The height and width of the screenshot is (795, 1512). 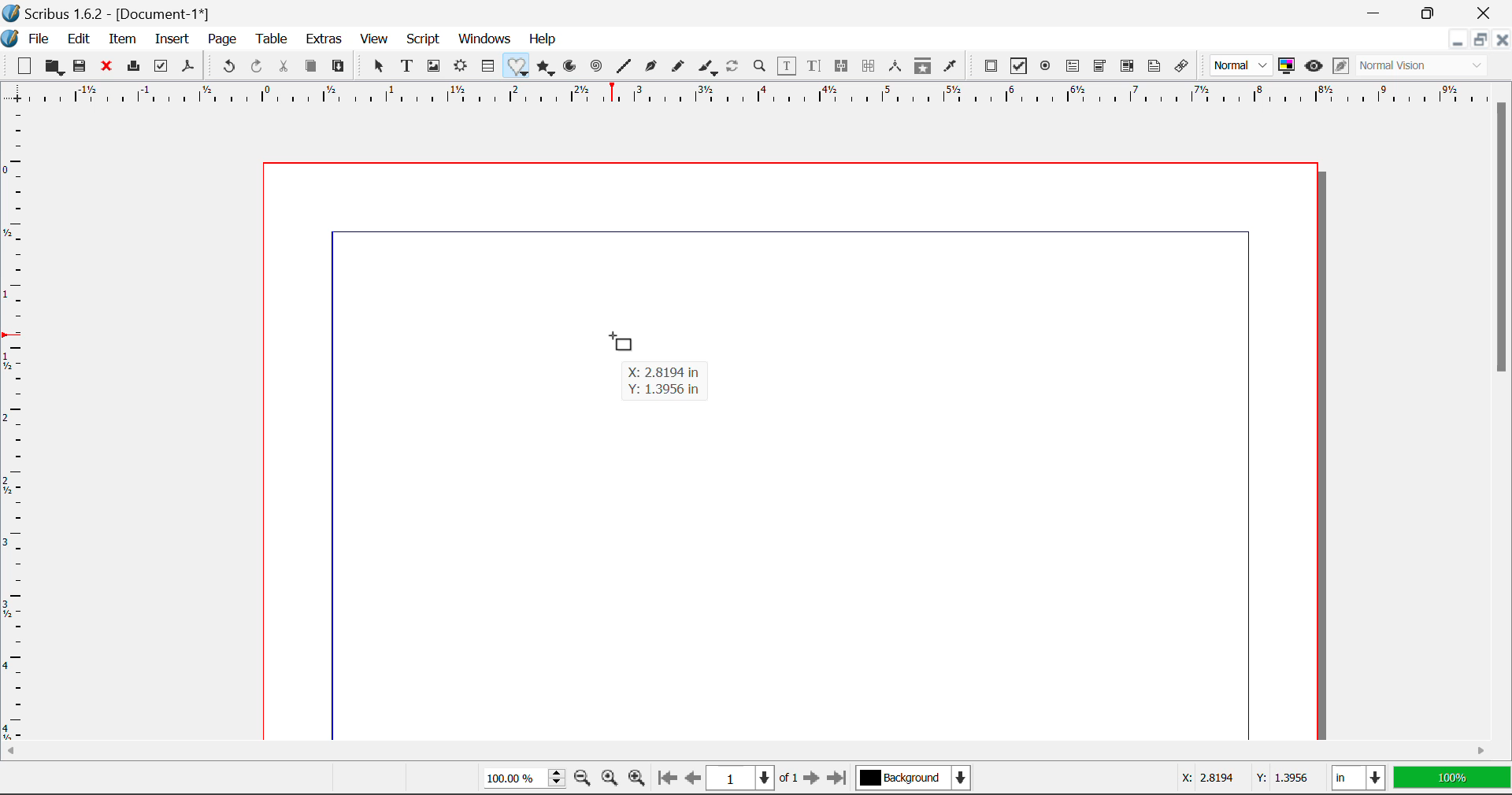 What do you see at coordinates (637, 779) in the screenshot?
I see `Zoom In` at bounding box center [637, 779].